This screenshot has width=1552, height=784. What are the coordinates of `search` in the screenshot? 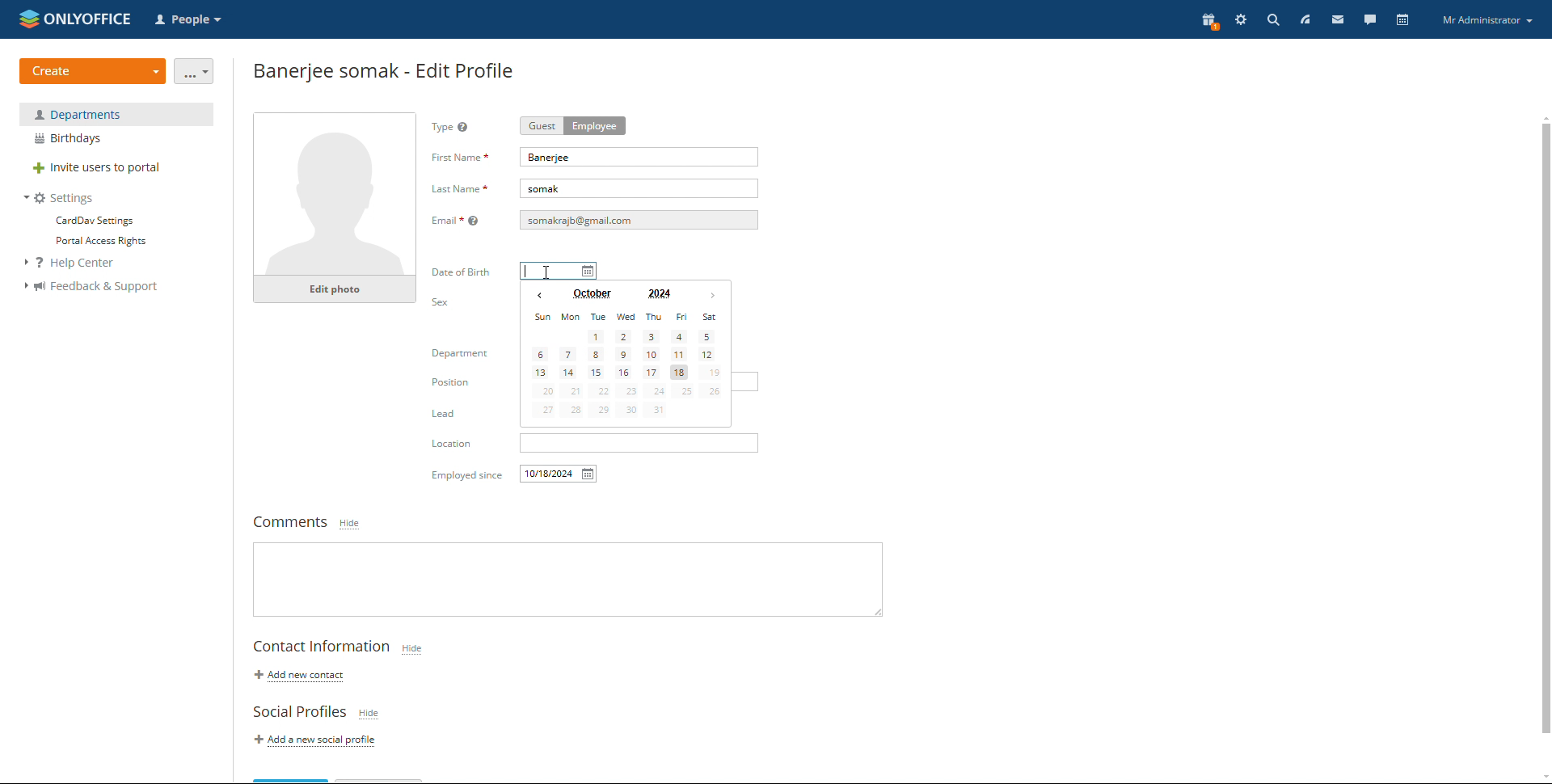 It's located at (1273, 19).